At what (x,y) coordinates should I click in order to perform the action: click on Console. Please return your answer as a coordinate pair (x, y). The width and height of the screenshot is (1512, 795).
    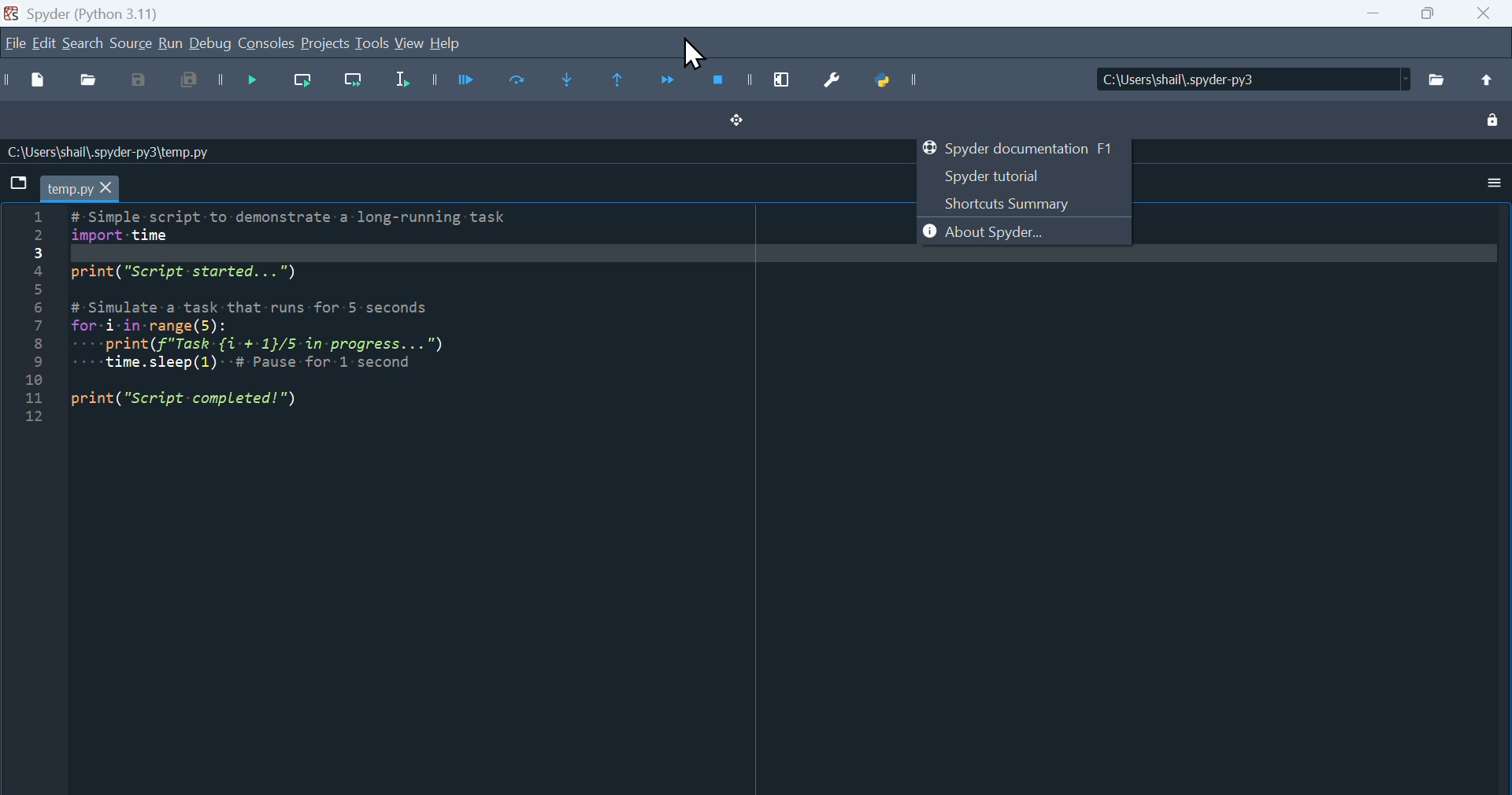
    Looking at the image, I should click on (266, 45).